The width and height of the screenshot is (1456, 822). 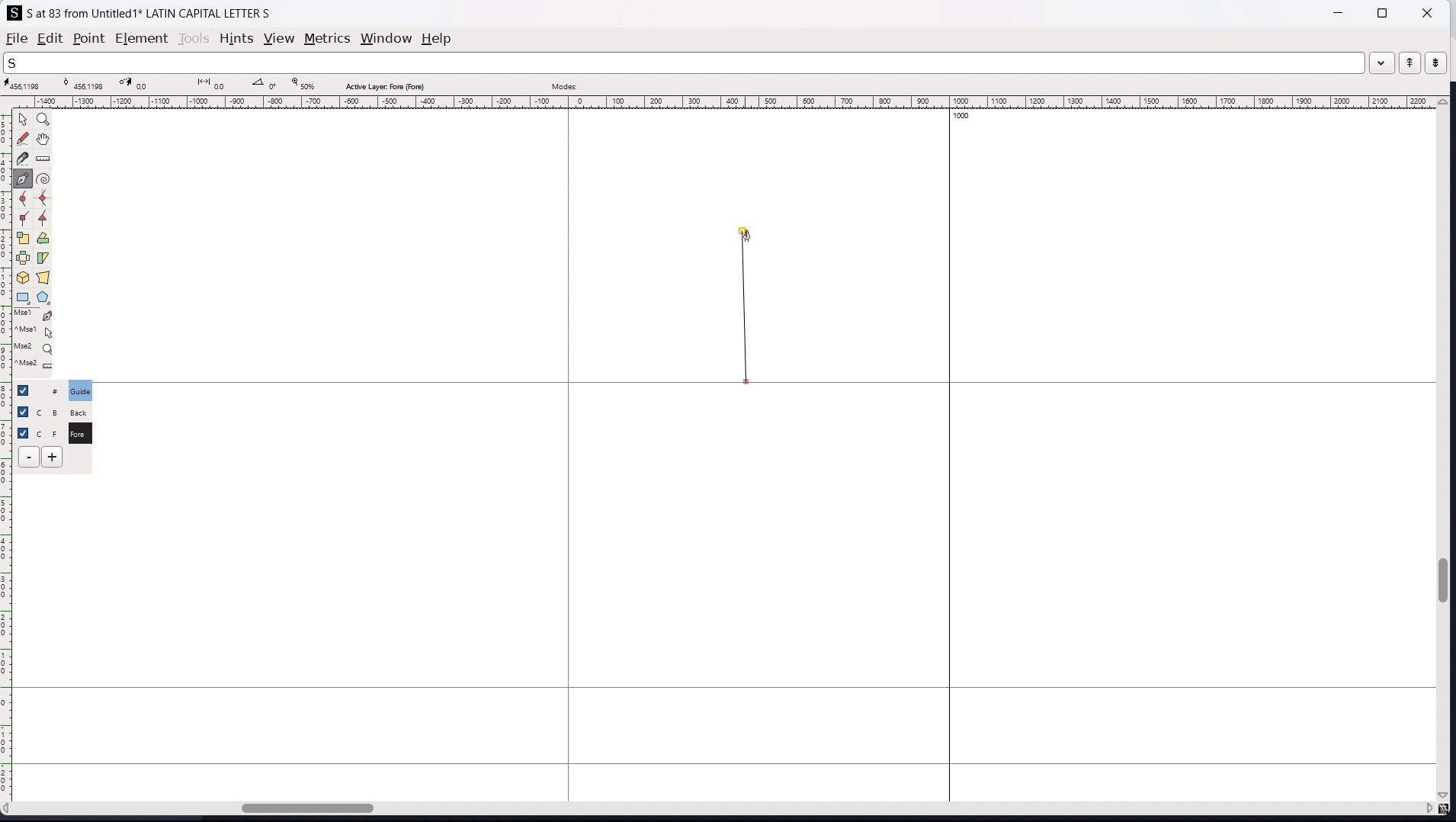 What do you see at coordinates (564, 85) in the screenshot?
I see `modes` at bounding box center [564, 85].